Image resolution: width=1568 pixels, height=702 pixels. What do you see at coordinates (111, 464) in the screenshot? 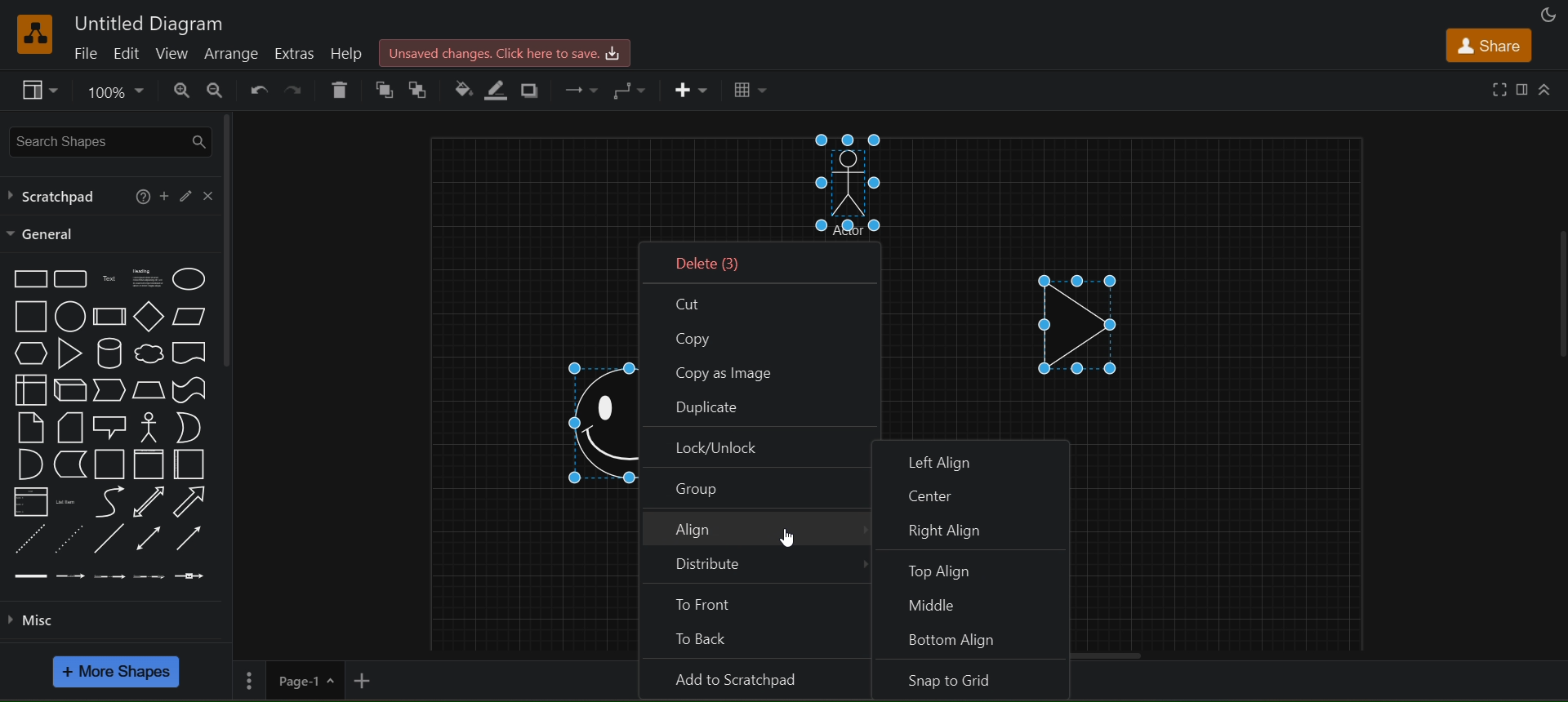
I see `container` at bounding box center [111, 464].